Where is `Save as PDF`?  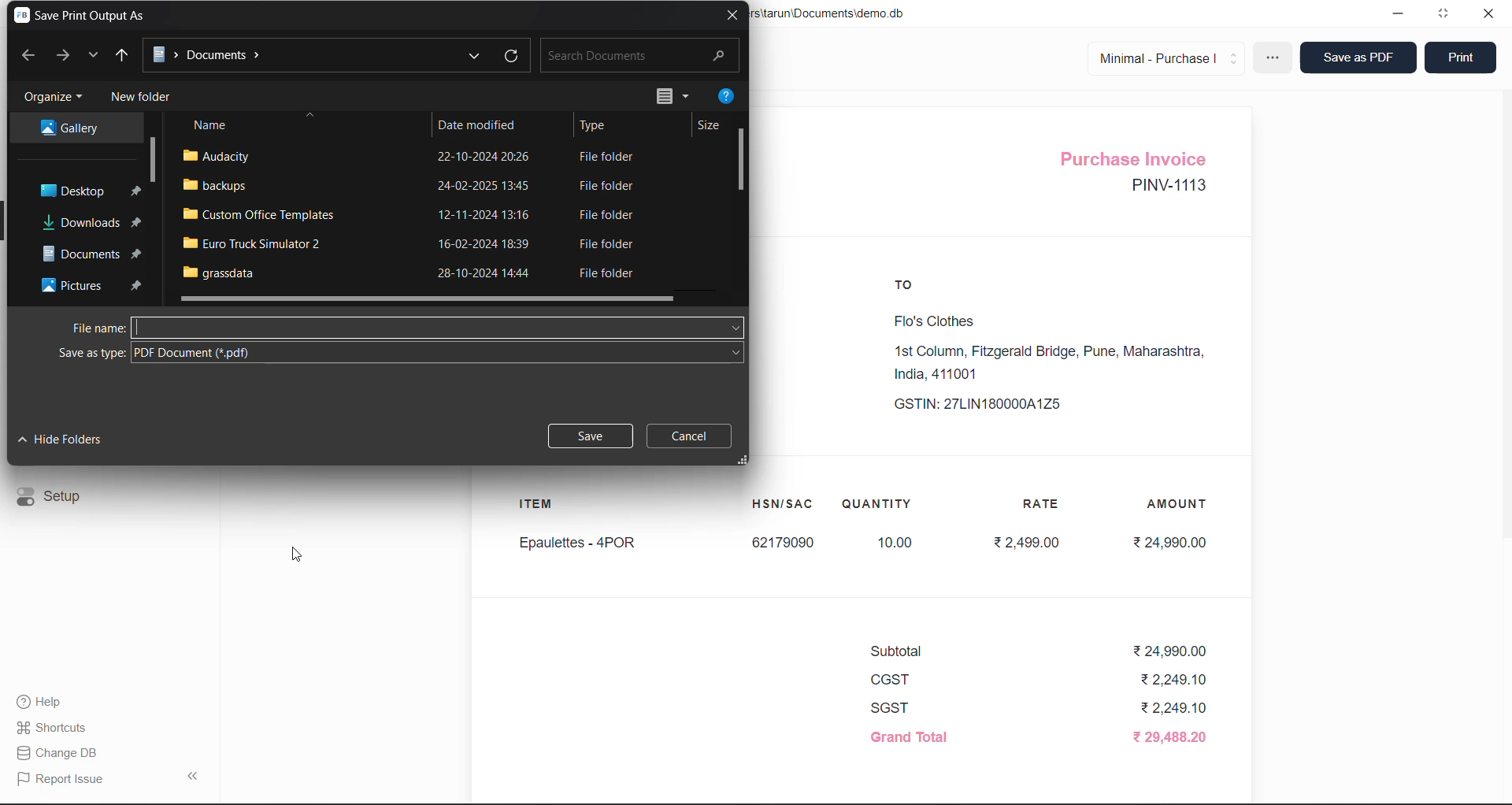 Save as PDF is located at coordinates (1359, 57).